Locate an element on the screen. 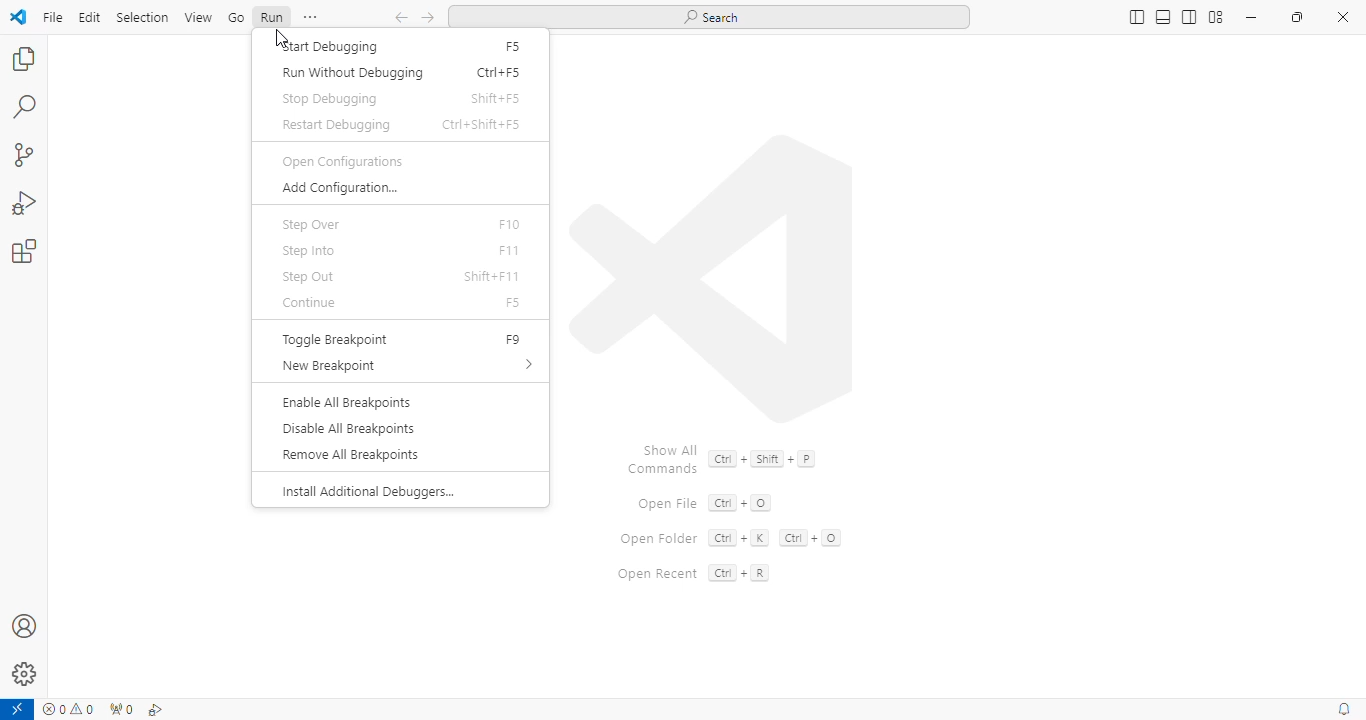 This screenshot has width=1366, height=720. ctrl+shift+P is located at coordinates (762, 458).